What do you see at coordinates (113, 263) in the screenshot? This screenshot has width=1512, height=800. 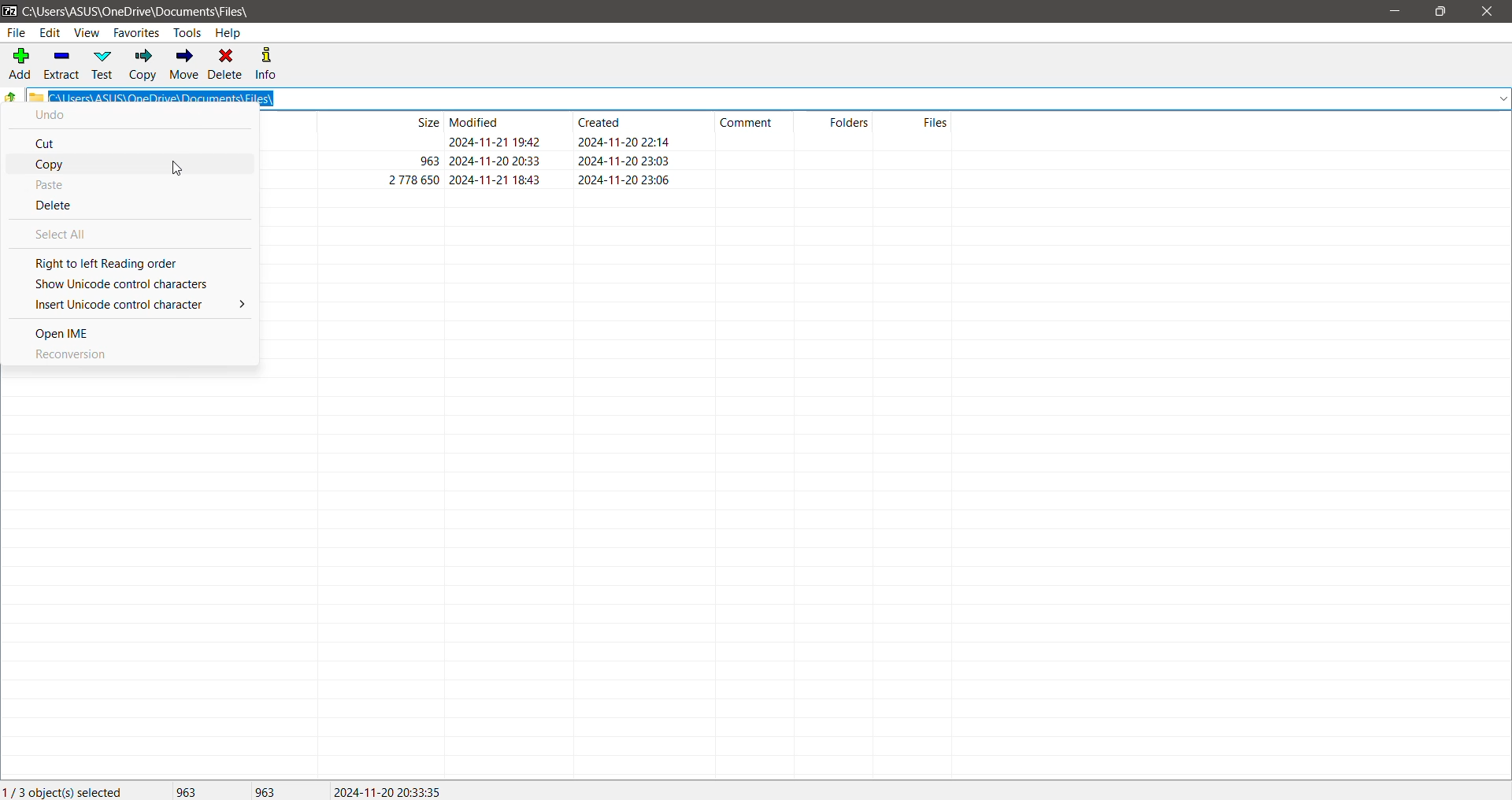 I see `Right to Left Reading order` at bounding box center [113, 263].